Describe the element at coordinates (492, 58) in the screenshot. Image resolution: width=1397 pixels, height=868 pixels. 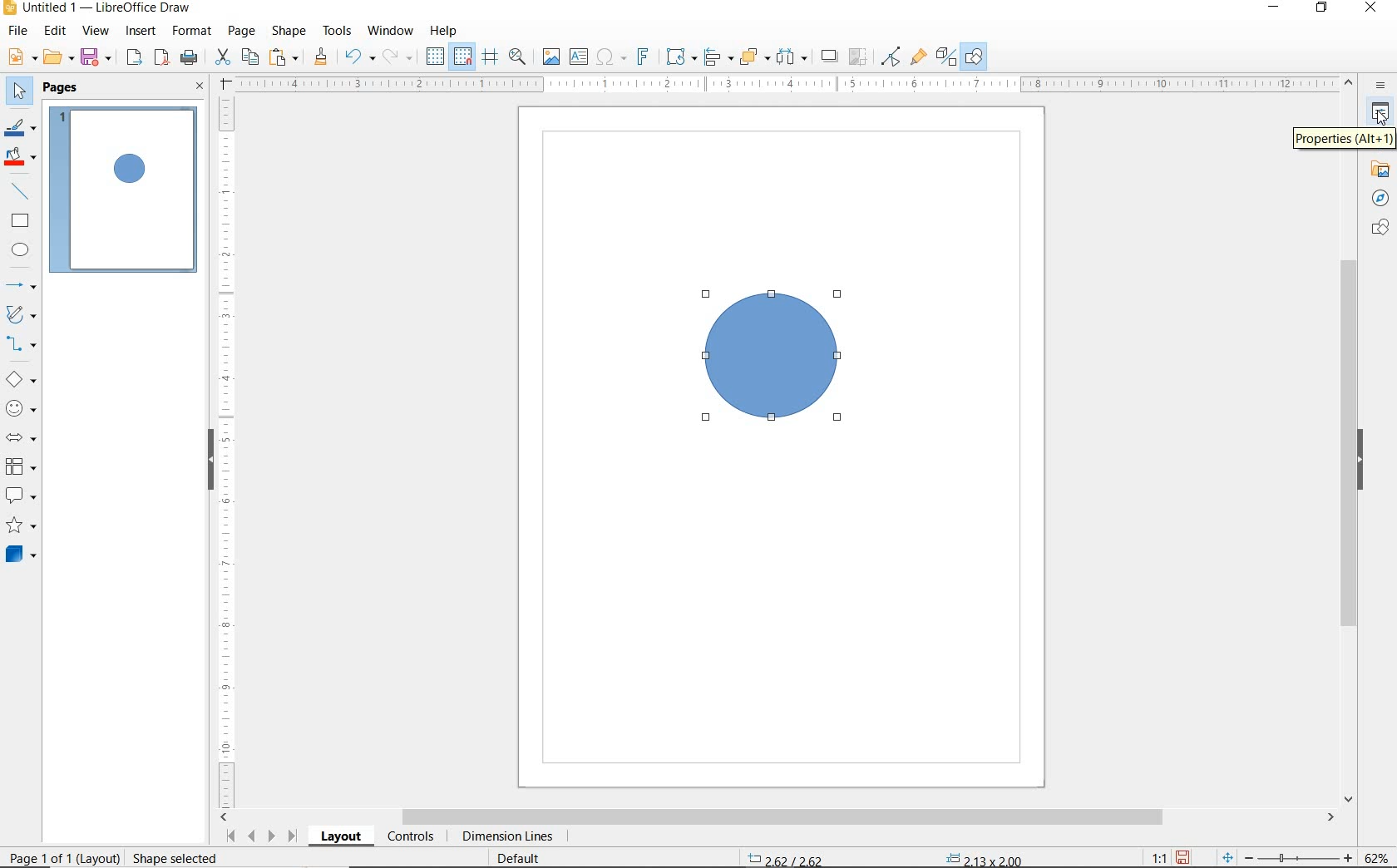
I see `` at that location.